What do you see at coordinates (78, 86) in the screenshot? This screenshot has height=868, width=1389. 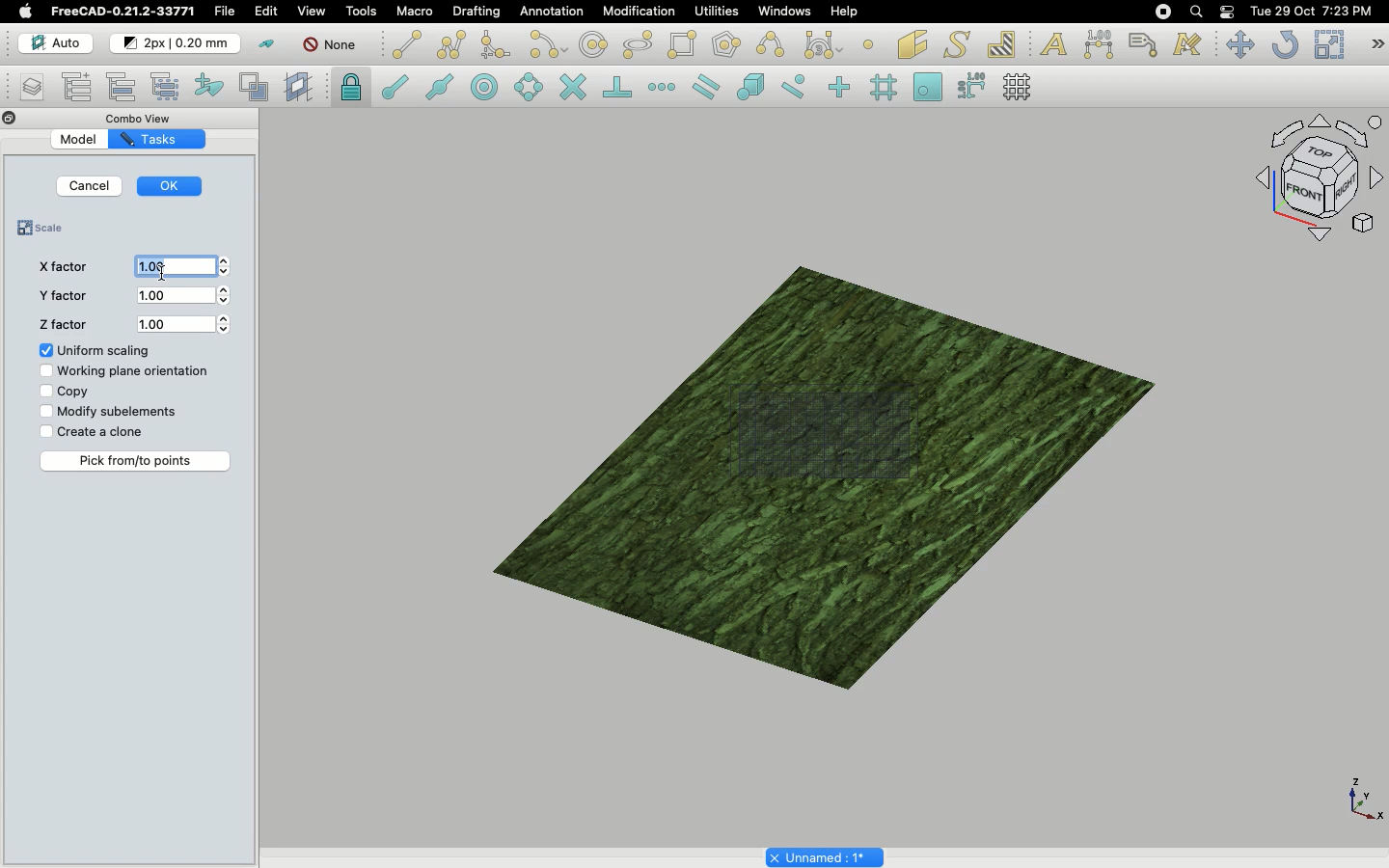 I see `Add new named group` at bounding box center [78, 86].